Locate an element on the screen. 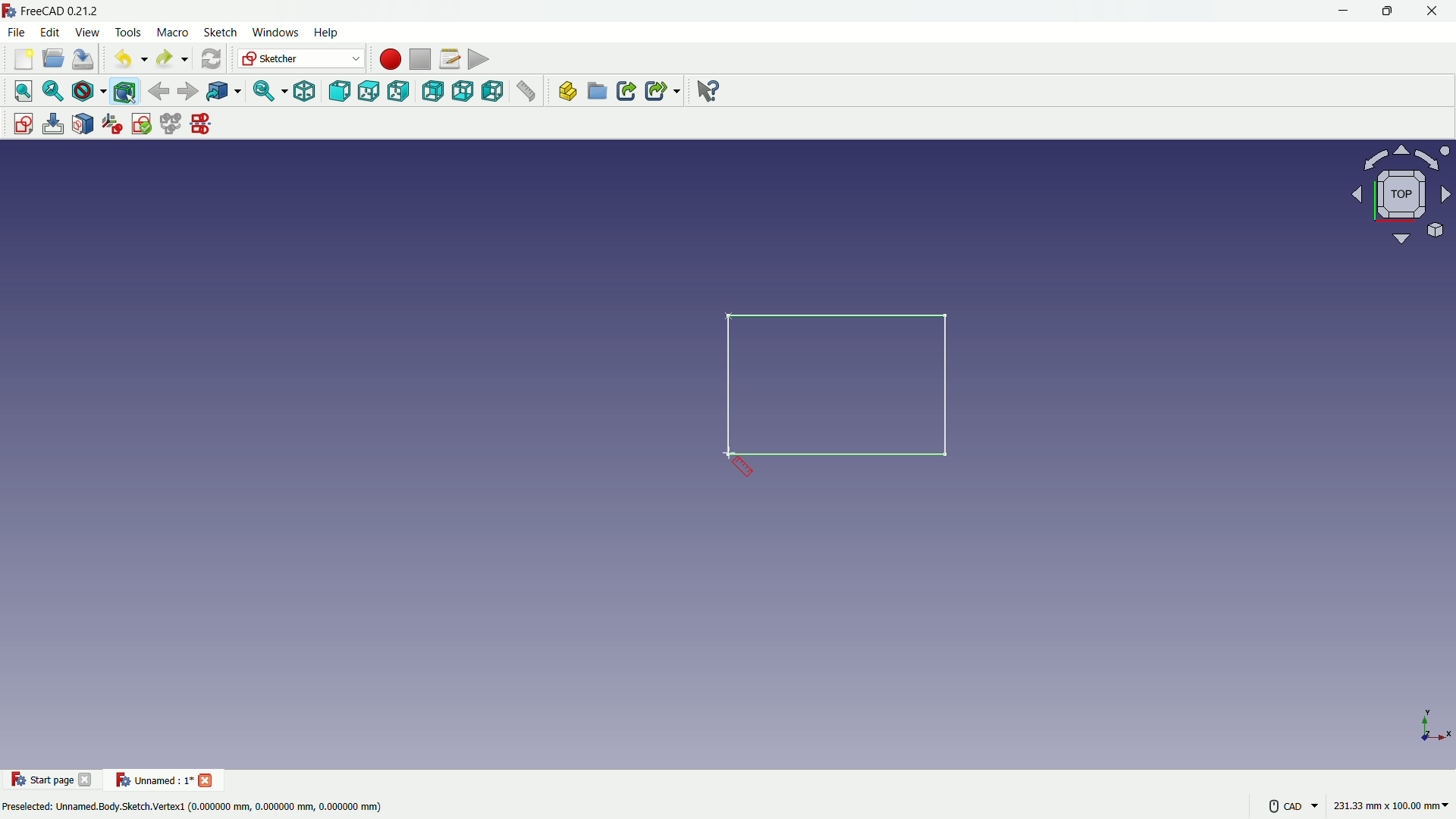  merge sketches is located at coordinates (172, 124).